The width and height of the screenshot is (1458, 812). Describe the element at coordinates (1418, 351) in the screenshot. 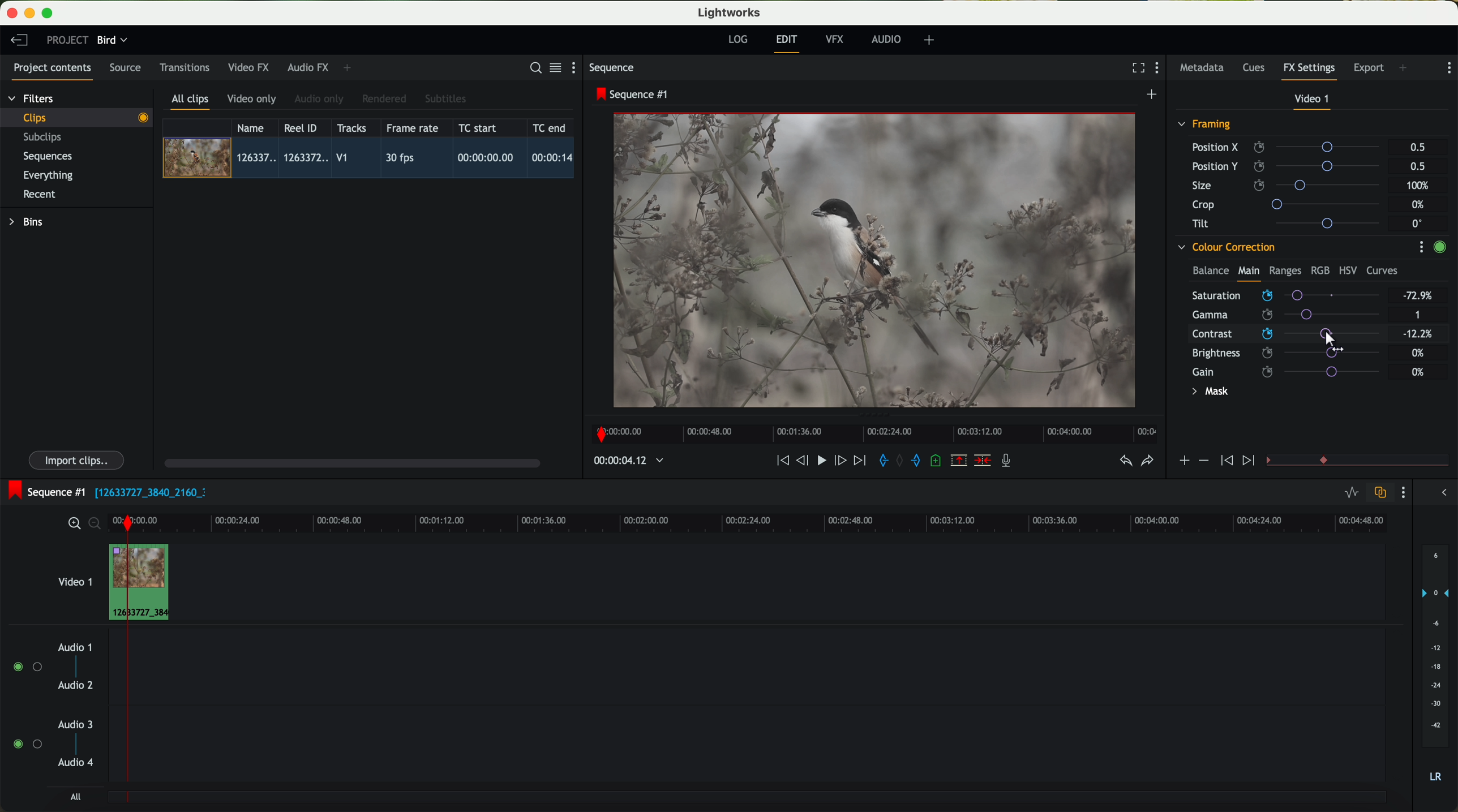

I see `0%` at that location.